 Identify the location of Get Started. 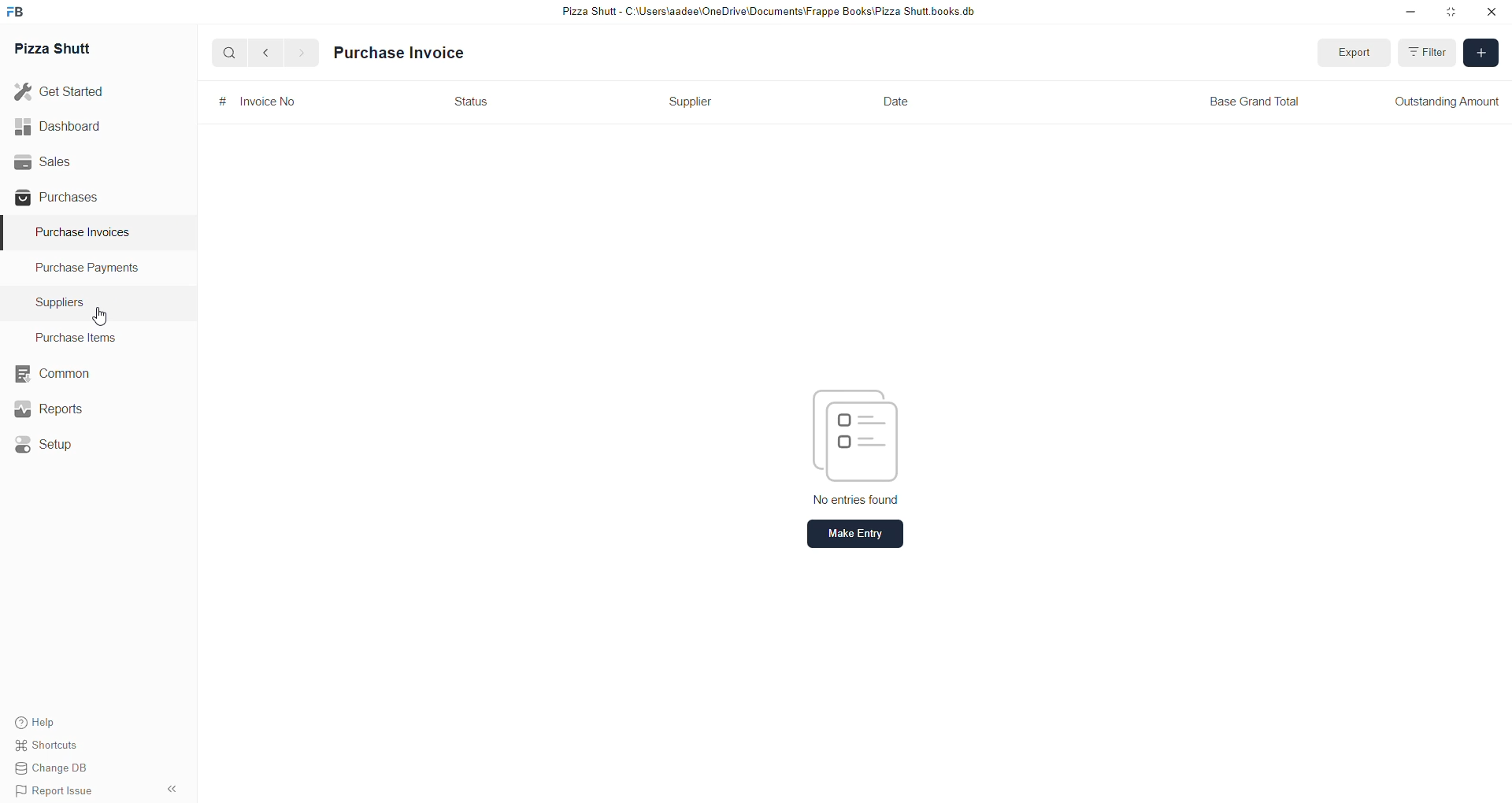
(71, 94).